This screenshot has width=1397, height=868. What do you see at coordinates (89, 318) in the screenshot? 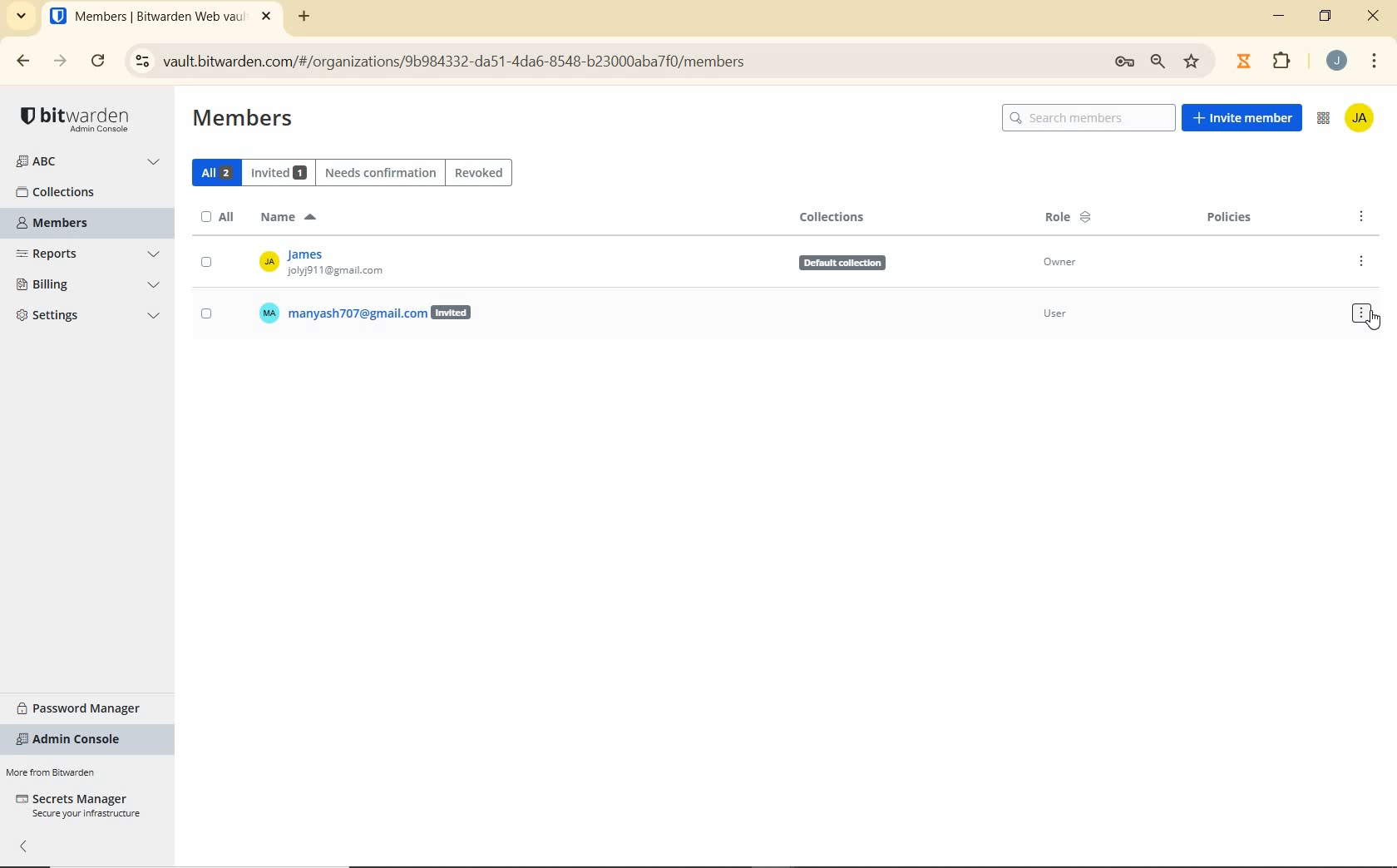
I see `SETTINGS` at bounding box center [89, 318].